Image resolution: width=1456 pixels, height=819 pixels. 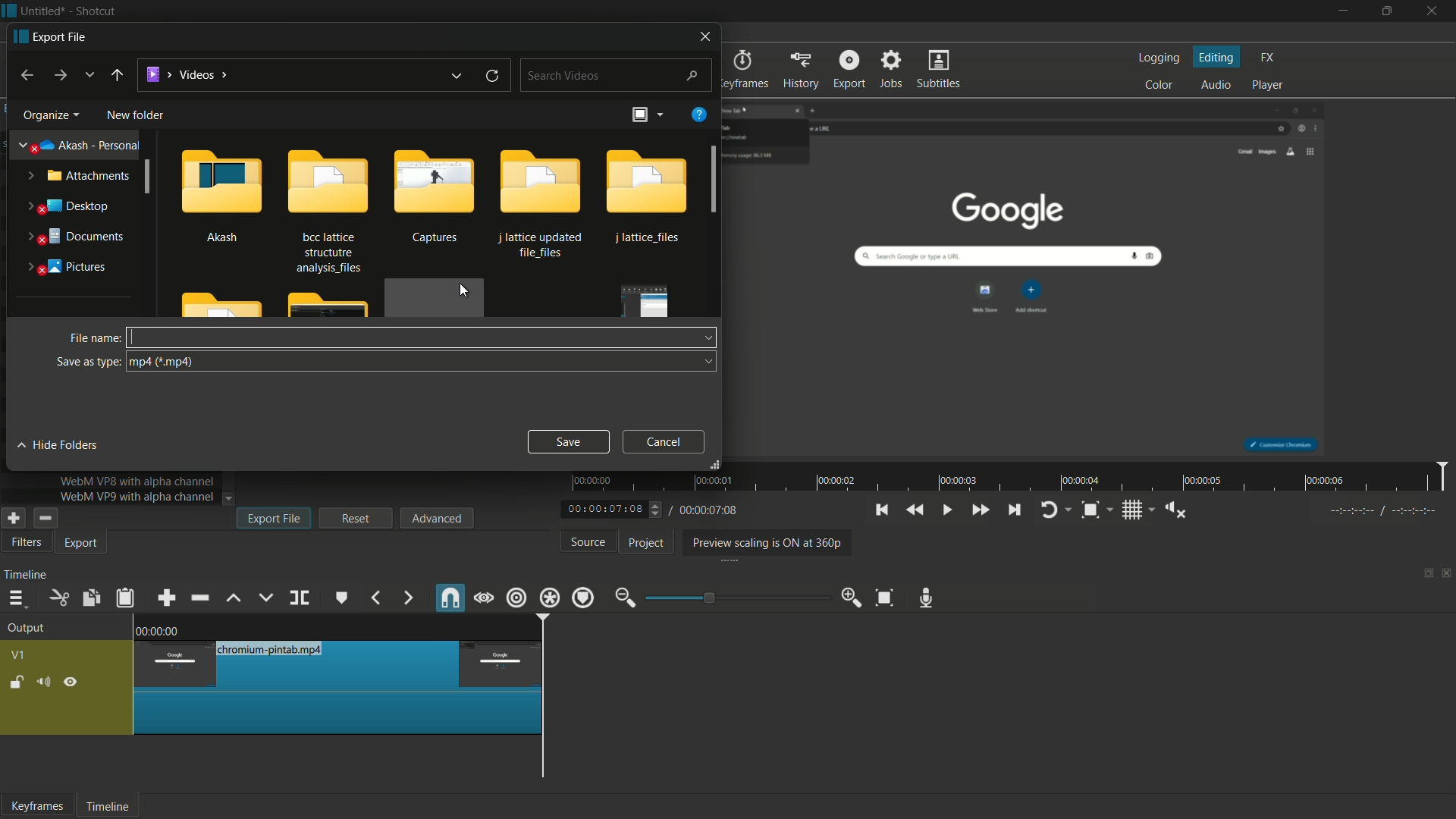 I want to click on new folder, so click(x=135, y=116).